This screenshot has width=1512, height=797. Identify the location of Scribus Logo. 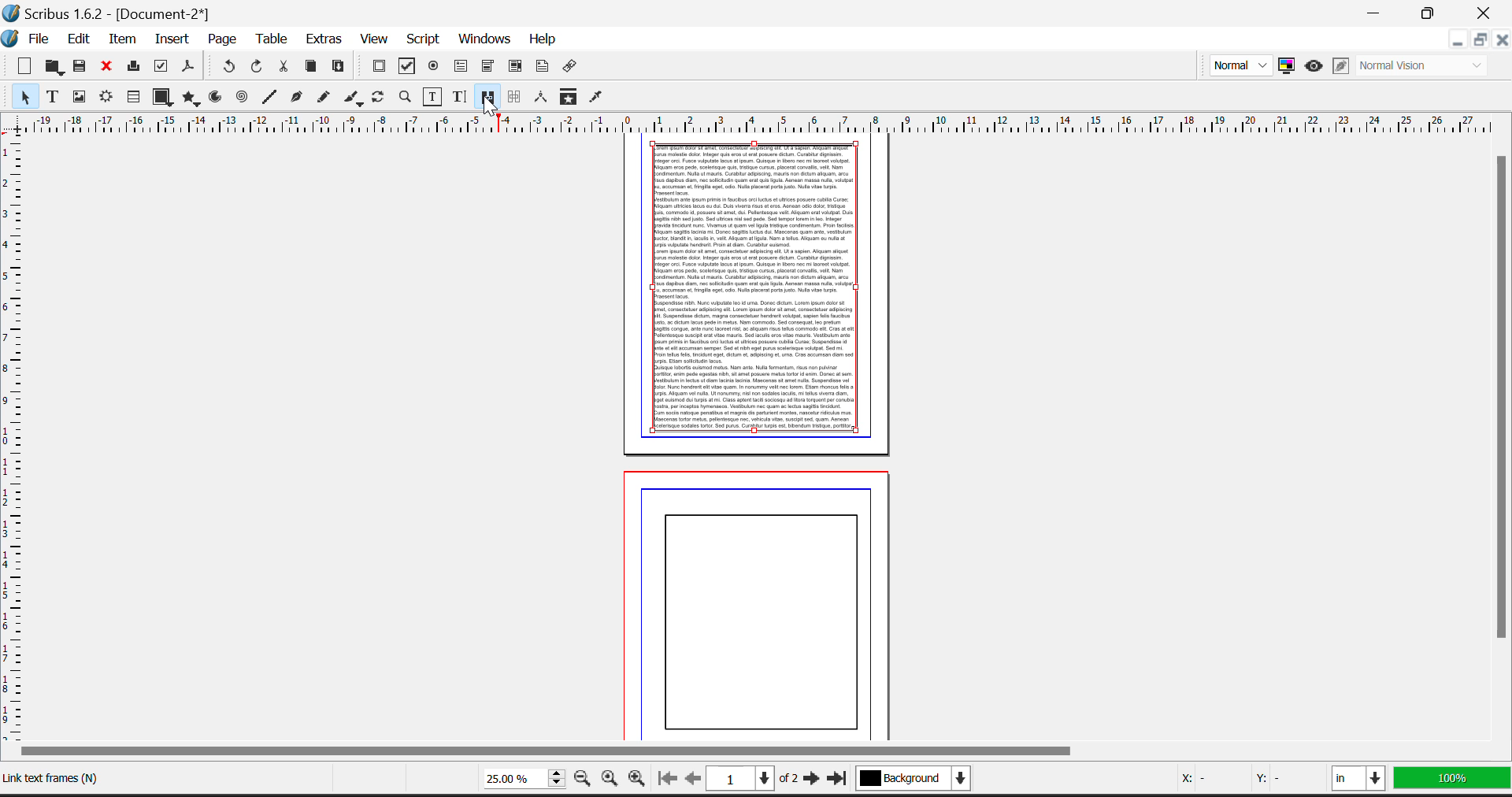
(11, 39).